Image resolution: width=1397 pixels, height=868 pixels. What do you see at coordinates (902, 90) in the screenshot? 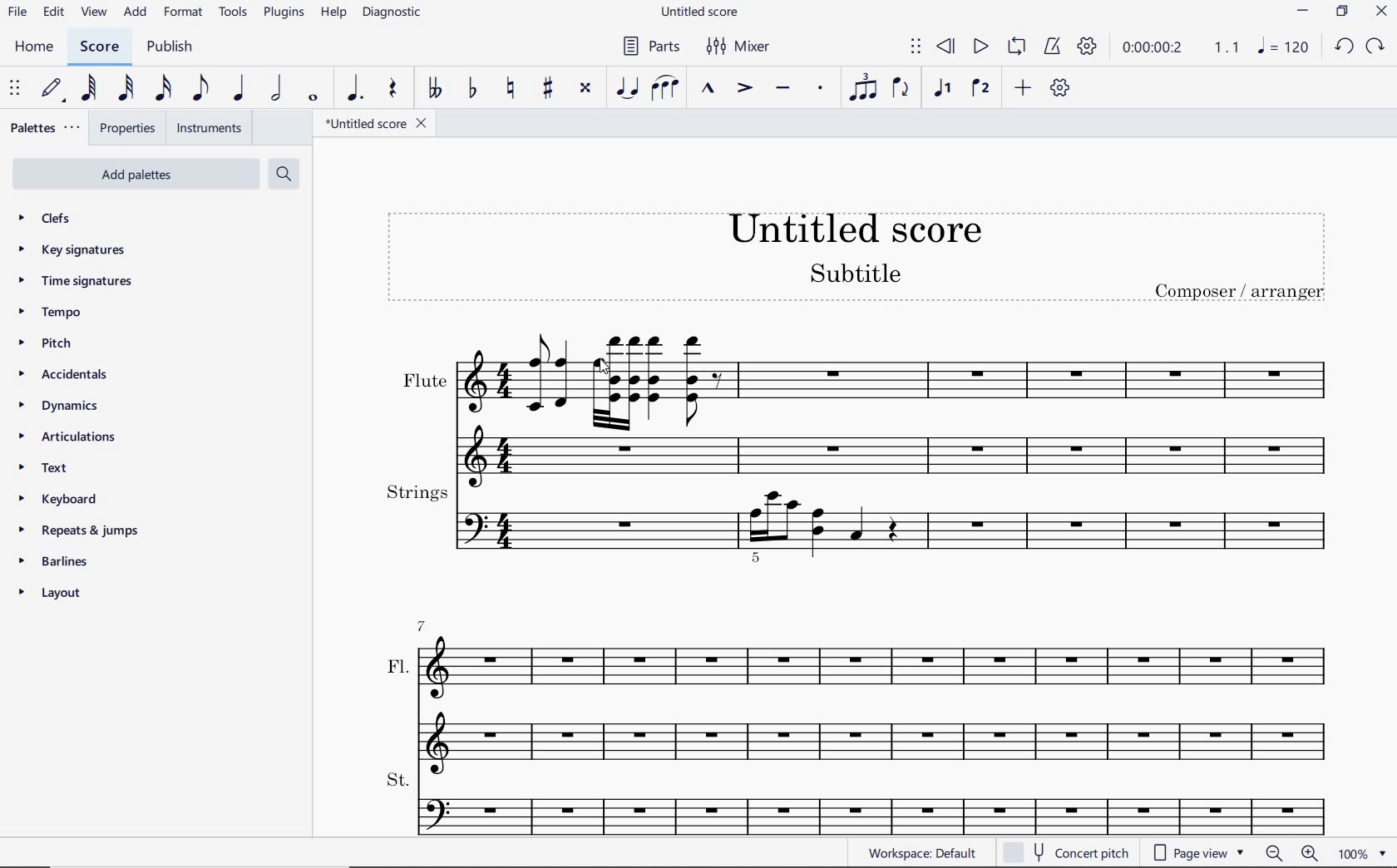
I see `FLIP DIRECTION` at bounding box center [902, 90].